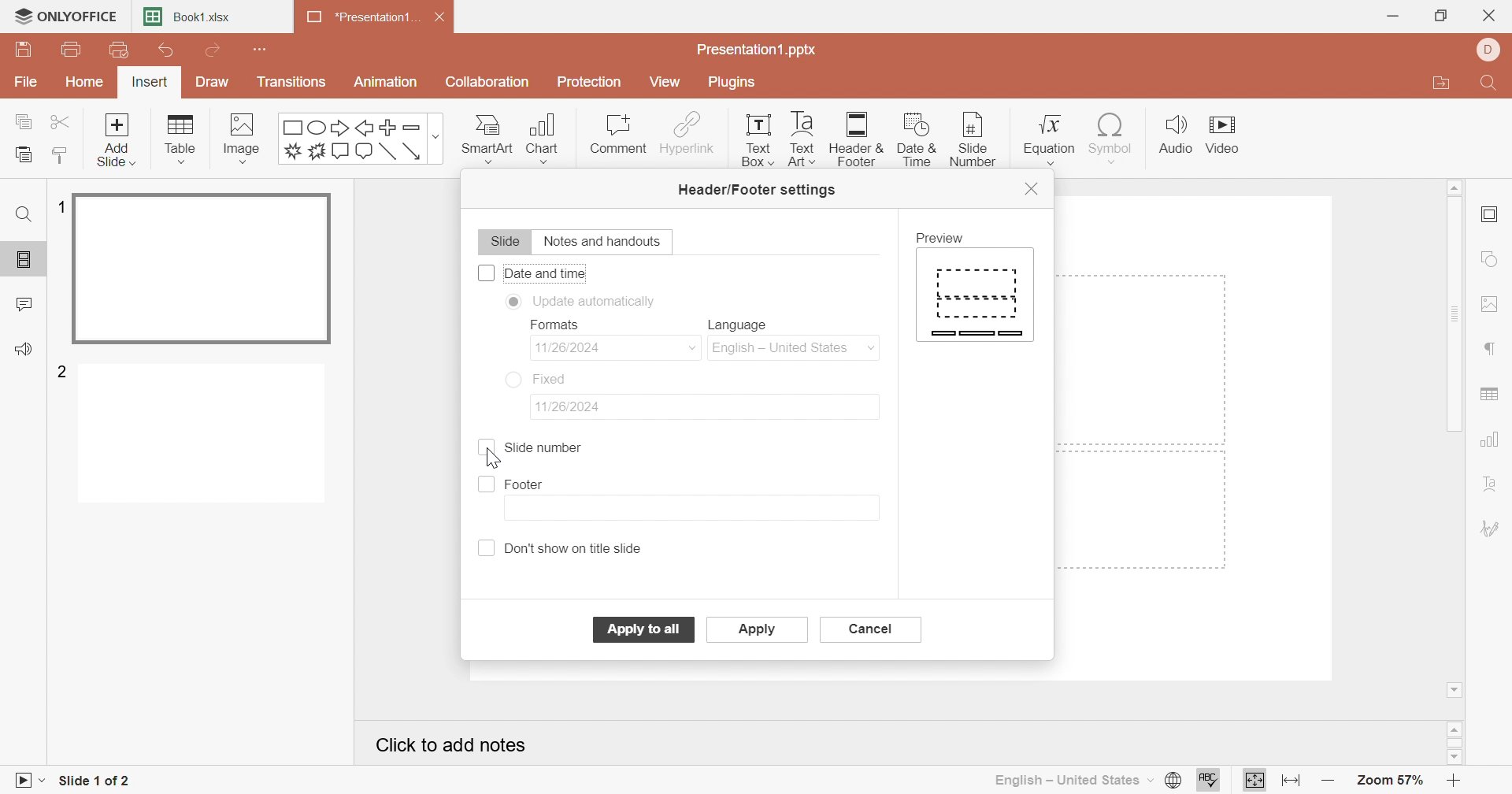 The image size is (1512, 794). What do you see at coordinates (27, 119) in the screenshot?
I see `copy` at bounding box center [27, 119].